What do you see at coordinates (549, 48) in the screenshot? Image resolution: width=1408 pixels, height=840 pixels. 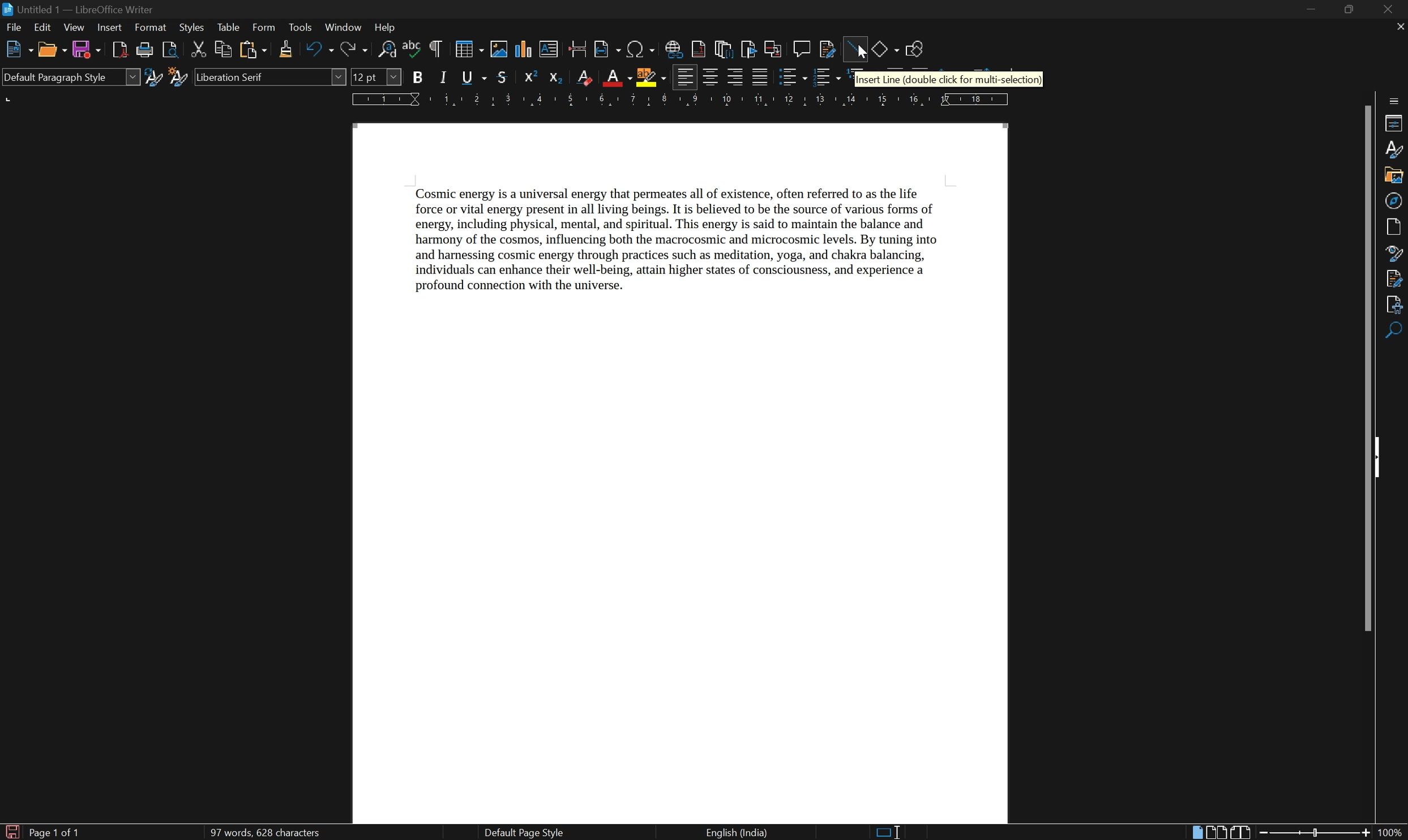 I see `insert textbox` at bounding box center [549, 48].